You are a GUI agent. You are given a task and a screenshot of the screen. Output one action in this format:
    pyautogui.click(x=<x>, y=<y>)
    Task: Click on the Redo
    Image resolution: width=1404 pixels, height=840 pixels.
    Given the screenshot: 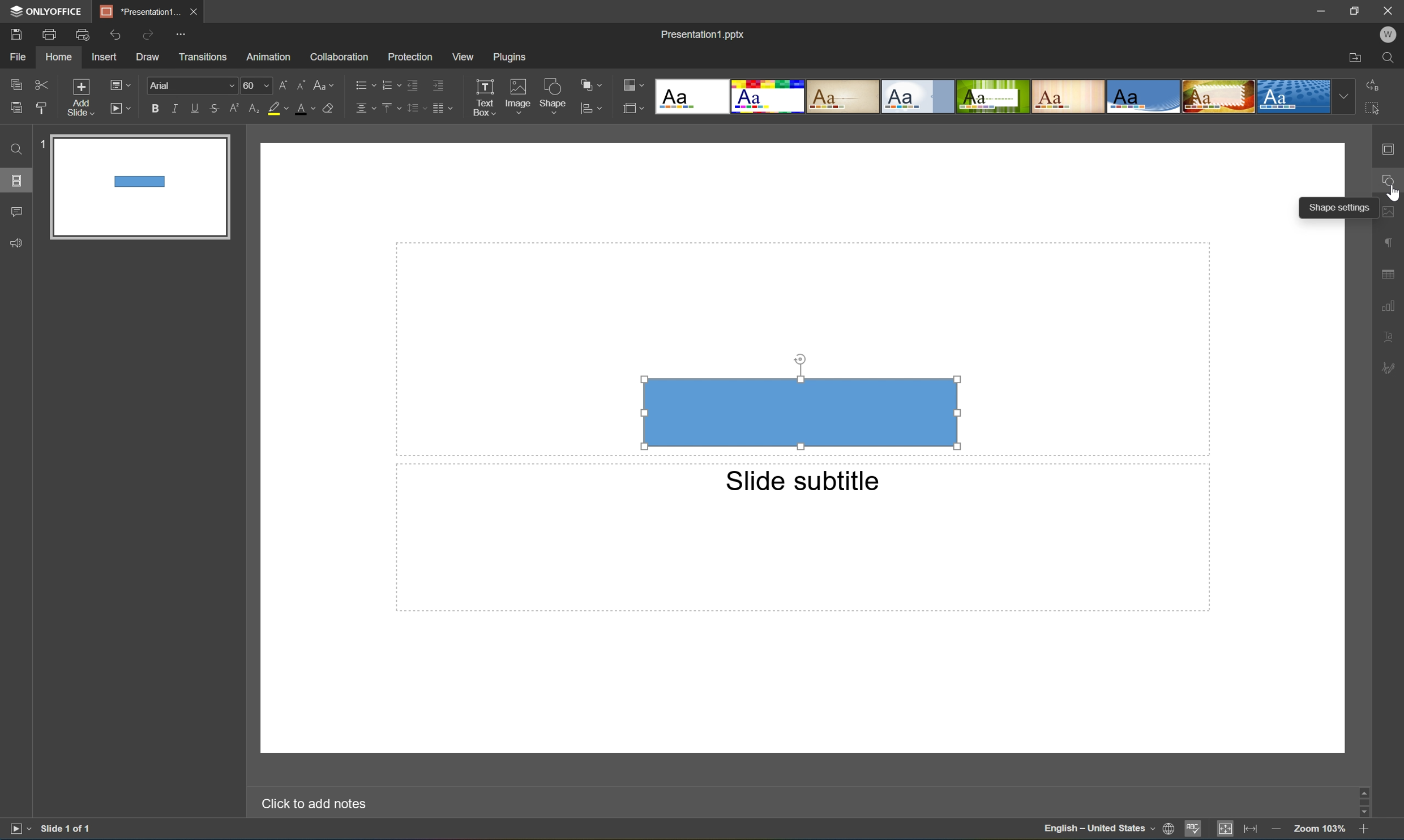 What is the action you would take?
    pyautogui.click(x=148, y=33)
    